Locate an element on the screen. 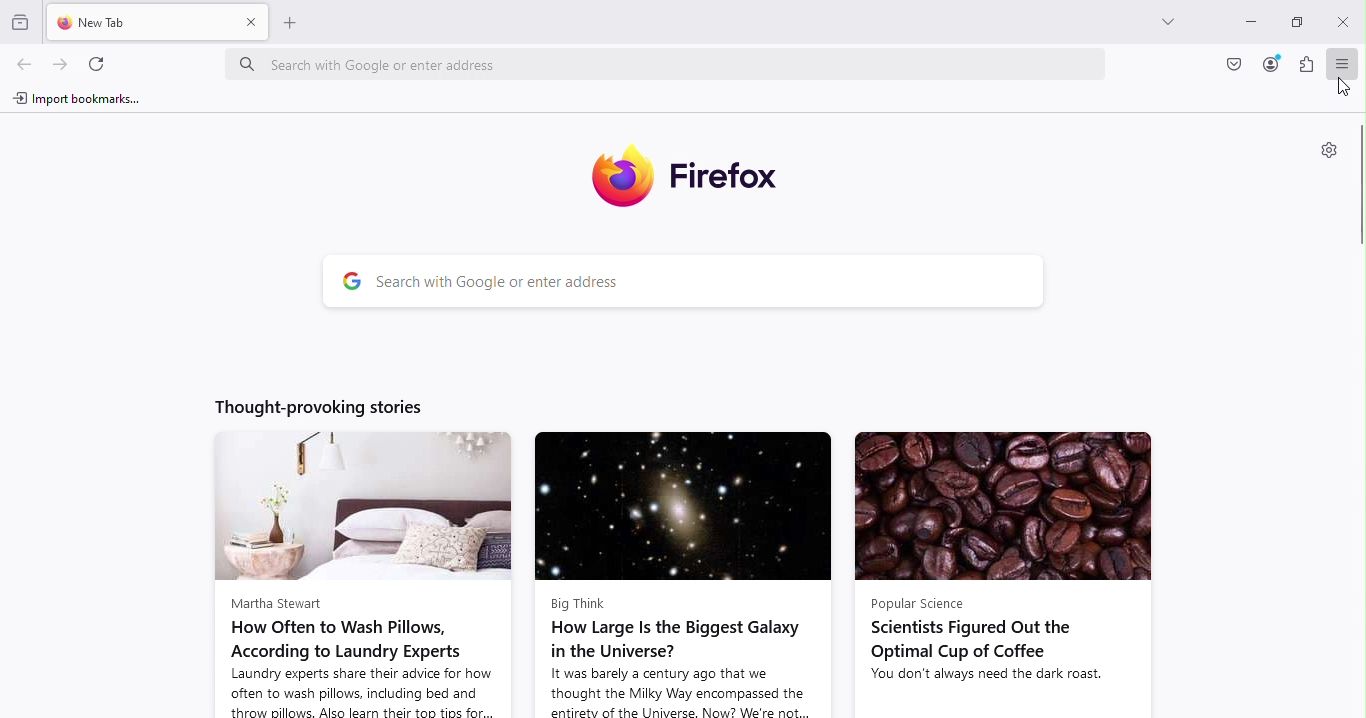 The height and width of the screenshot is (718, 1366). Go back one page is located at coordinates (22, 67).